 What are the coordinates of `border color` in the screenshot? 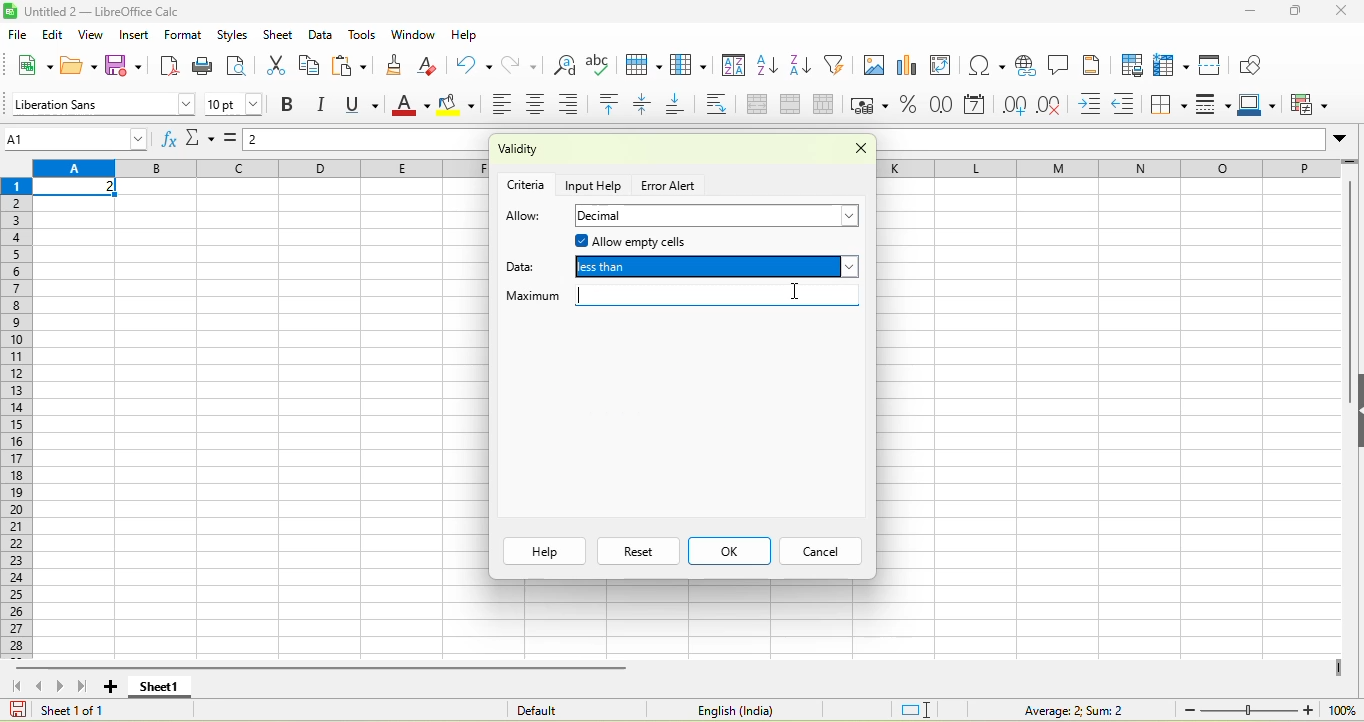 It's located at (1261, 106).